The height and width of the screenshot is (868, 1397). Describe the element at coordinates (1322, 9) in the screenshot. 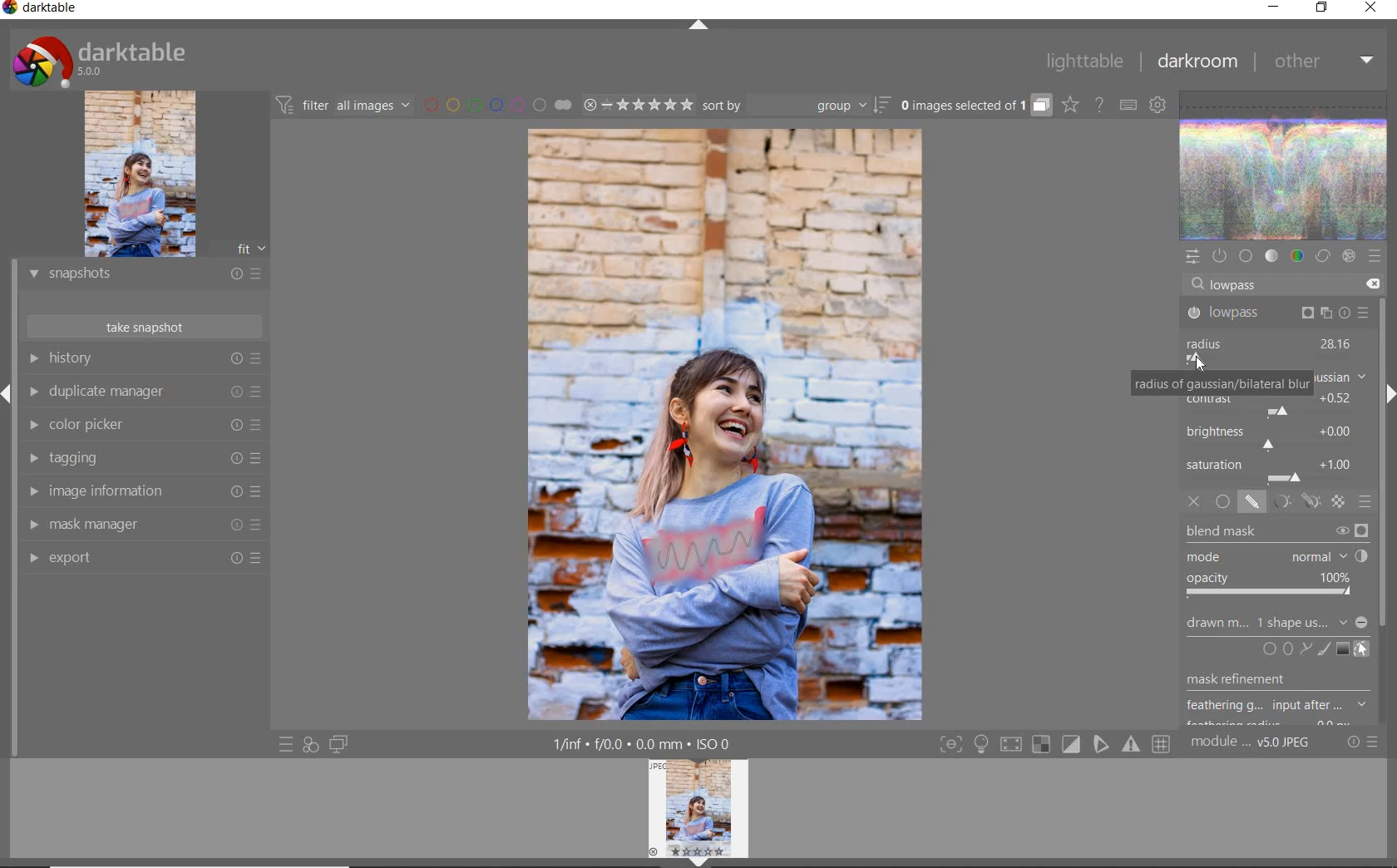

I see `restore` at that location.